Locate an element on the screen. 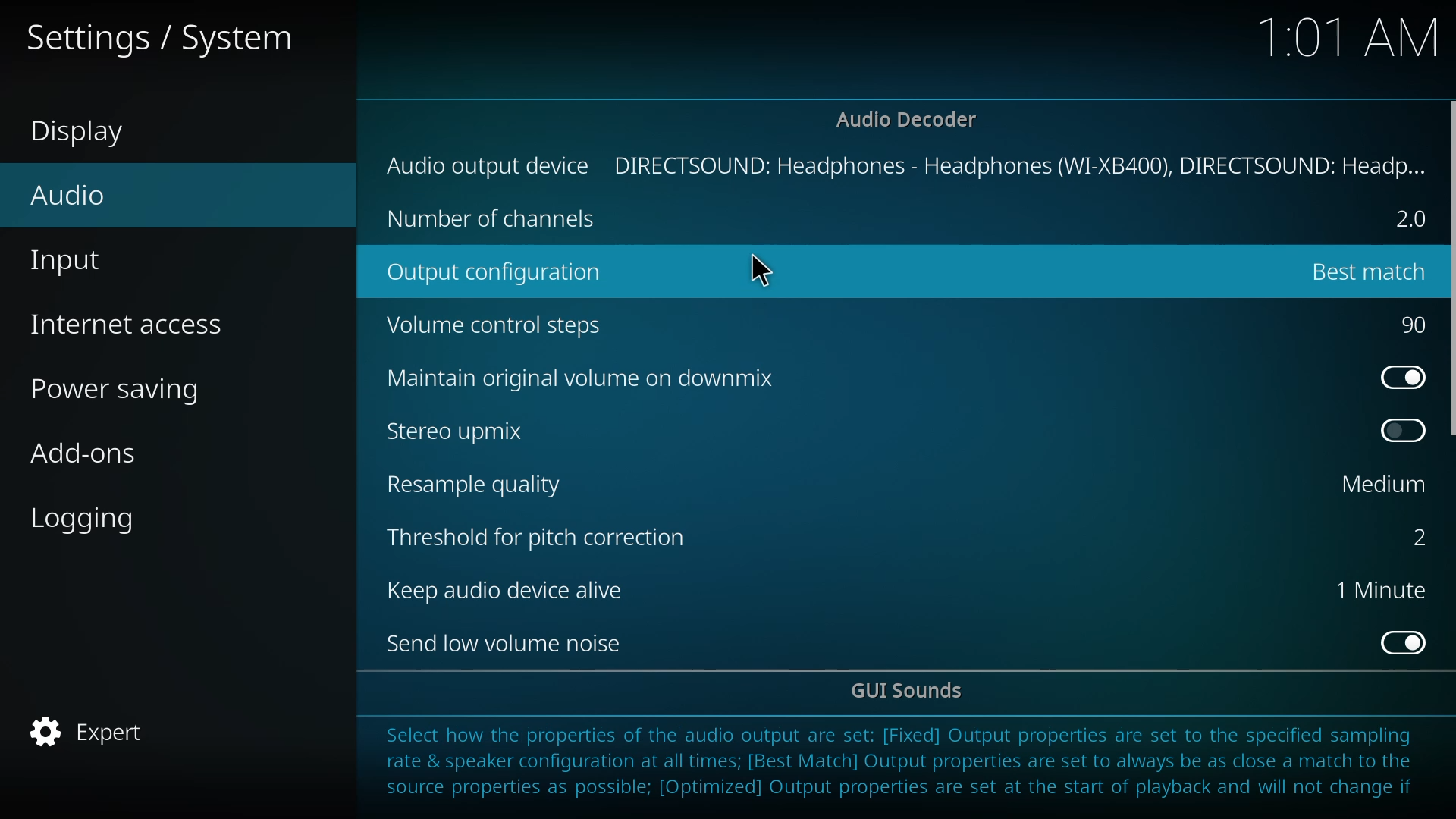 The height and width of the screenshot is (819, 1456). cursor is located at coordinates (764, 269).